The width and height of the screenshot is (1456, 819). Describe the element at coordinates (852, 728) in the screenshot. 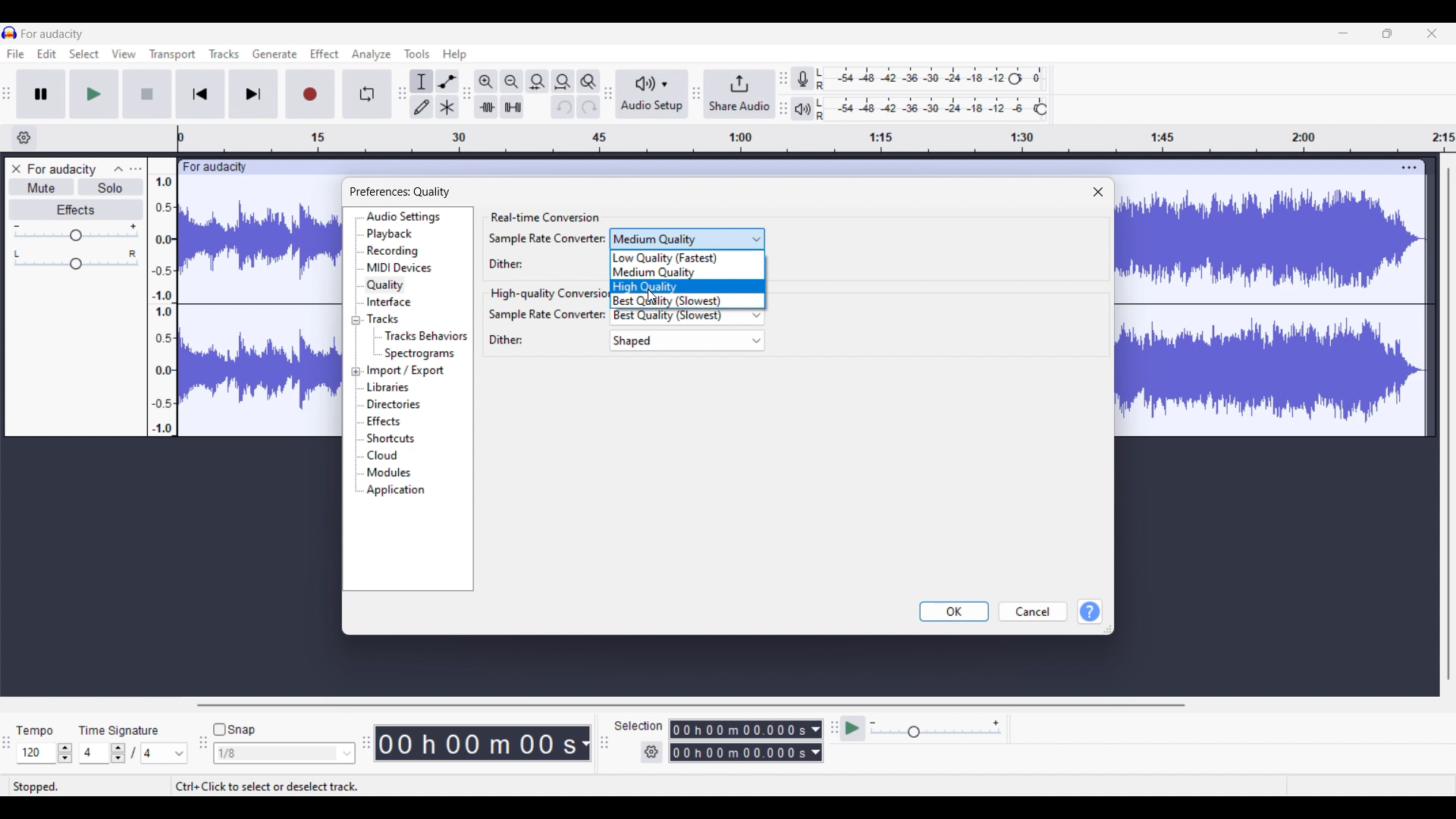

I see `Play at speed/Play at speed once` at that location.